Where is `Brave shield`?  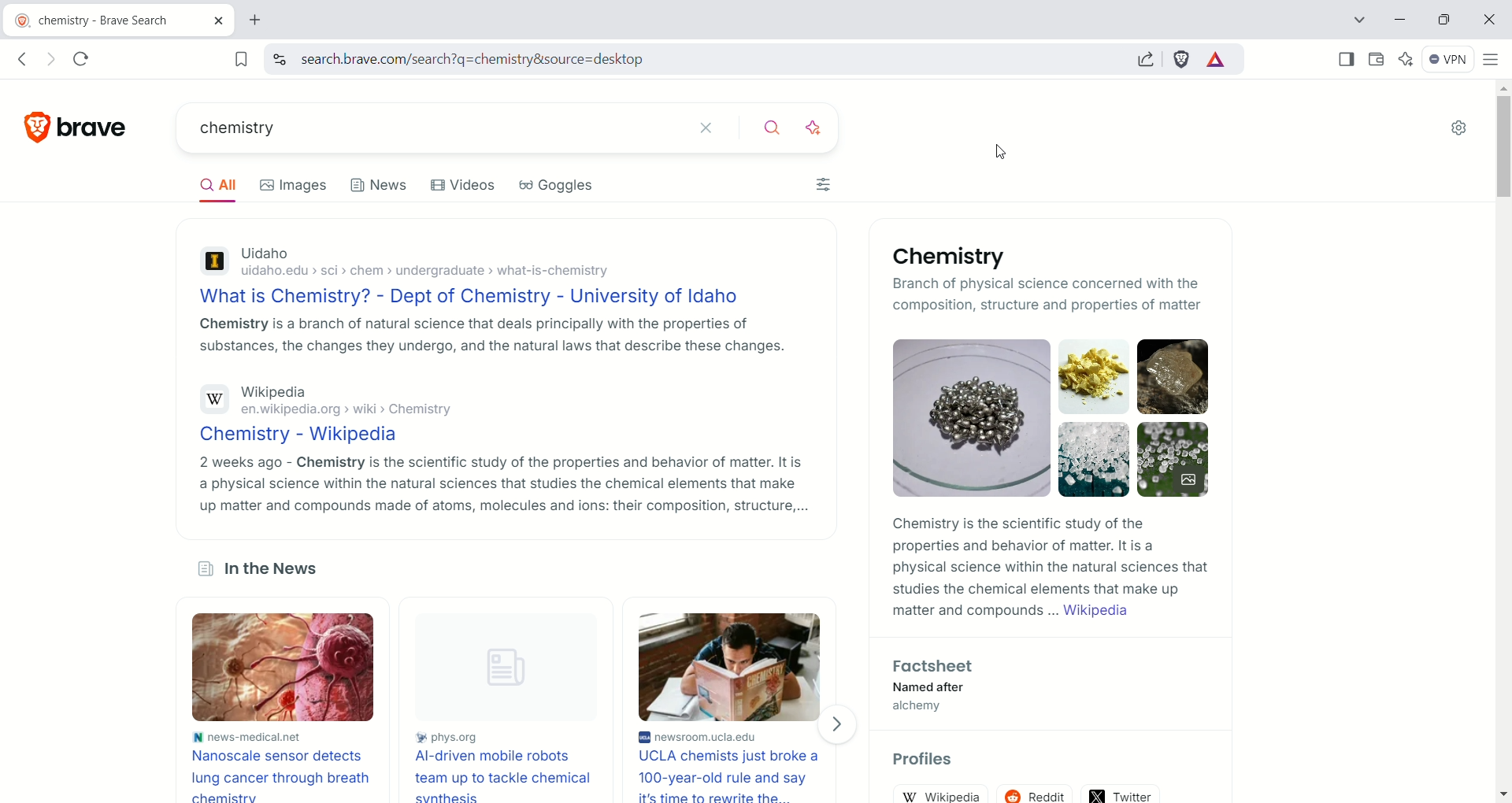 Brave shield is located at coordinates (1183, 58).